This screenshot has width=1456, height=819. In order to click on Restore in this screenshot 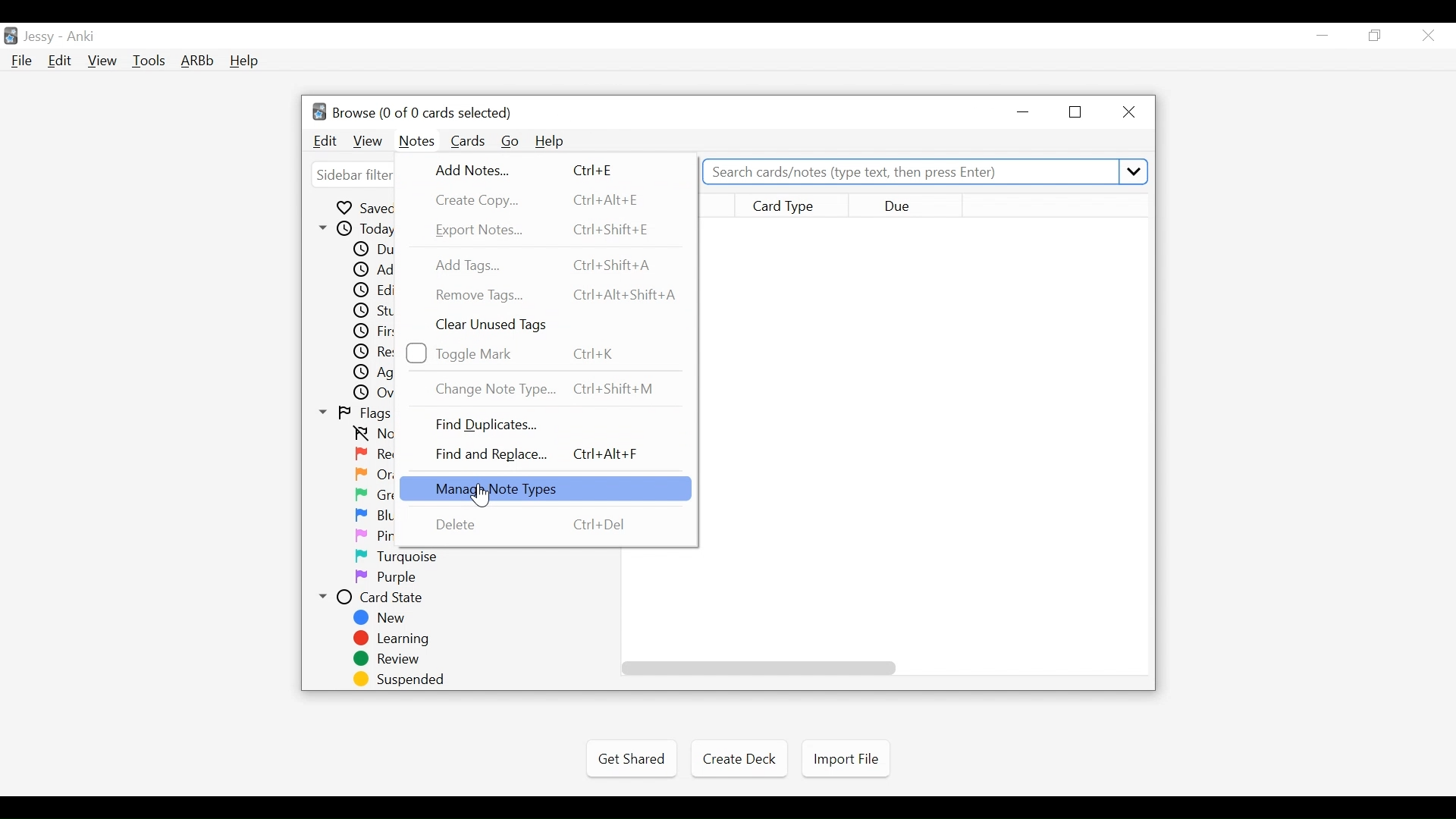, I will do `click(1077, 112)`.